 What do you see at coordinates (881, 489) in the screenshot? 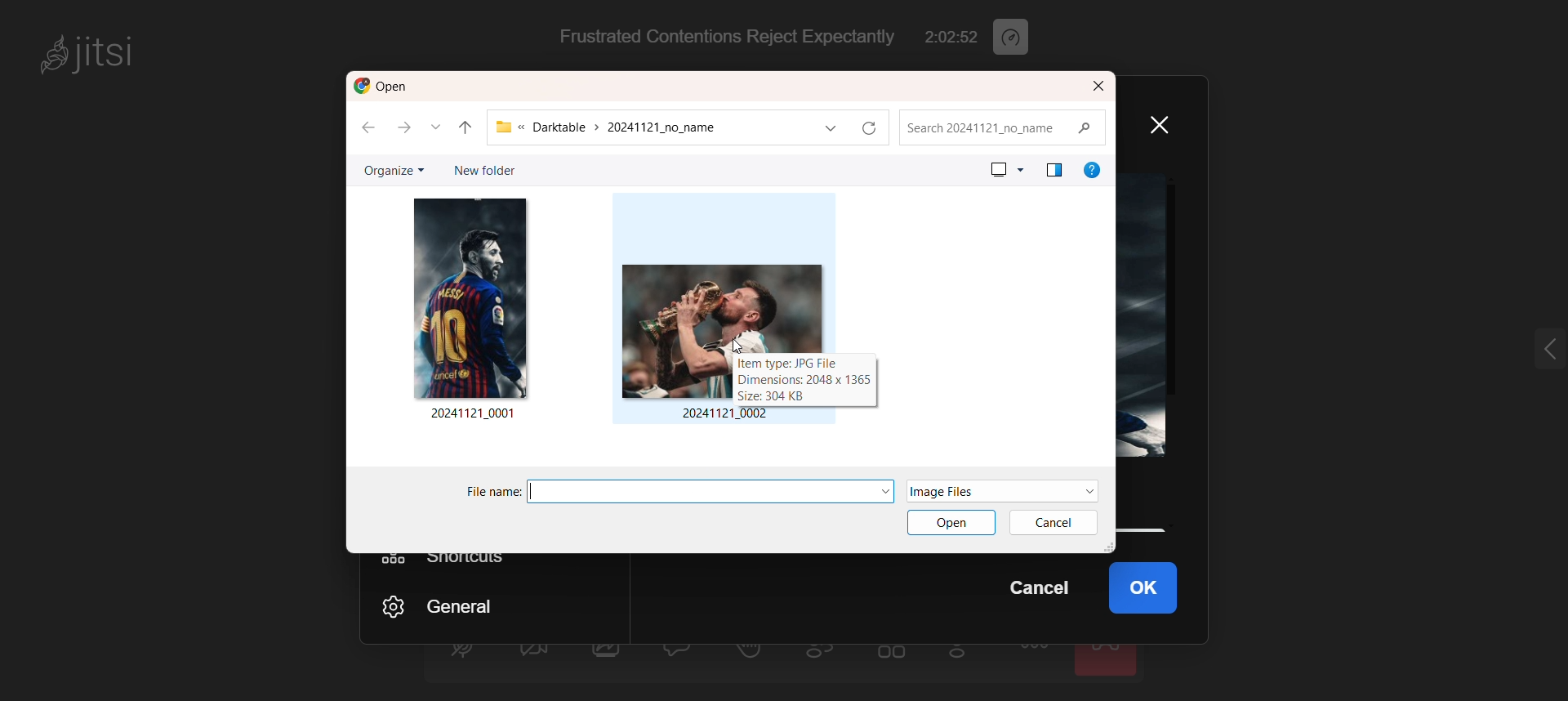
I see `dropdown` at bounding box center [881, 489].